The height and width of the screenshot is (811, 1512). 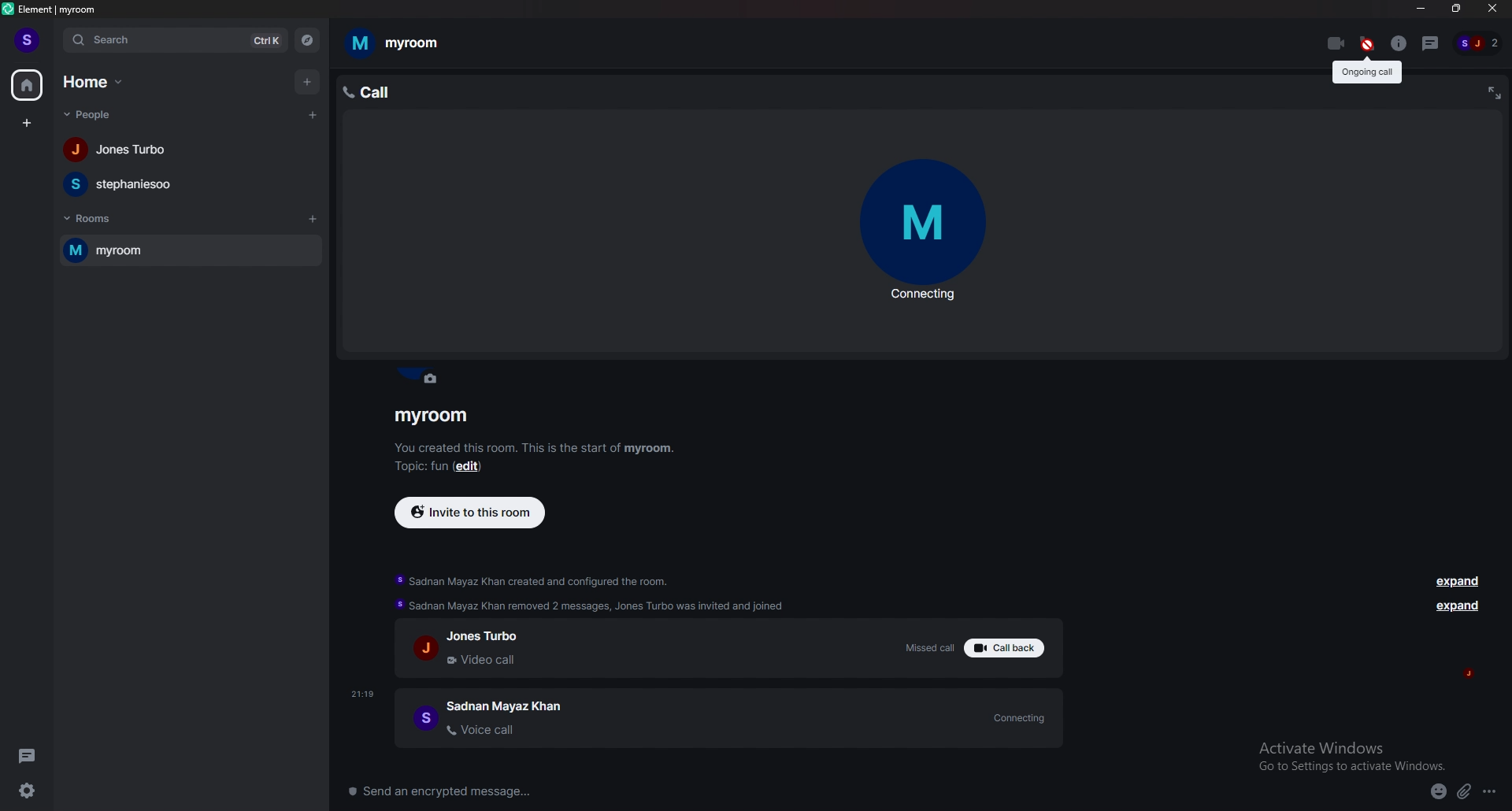 What do you see at coordinates (125, 40) in the screenshot?
I see `search` at bounding box center [125, 40].